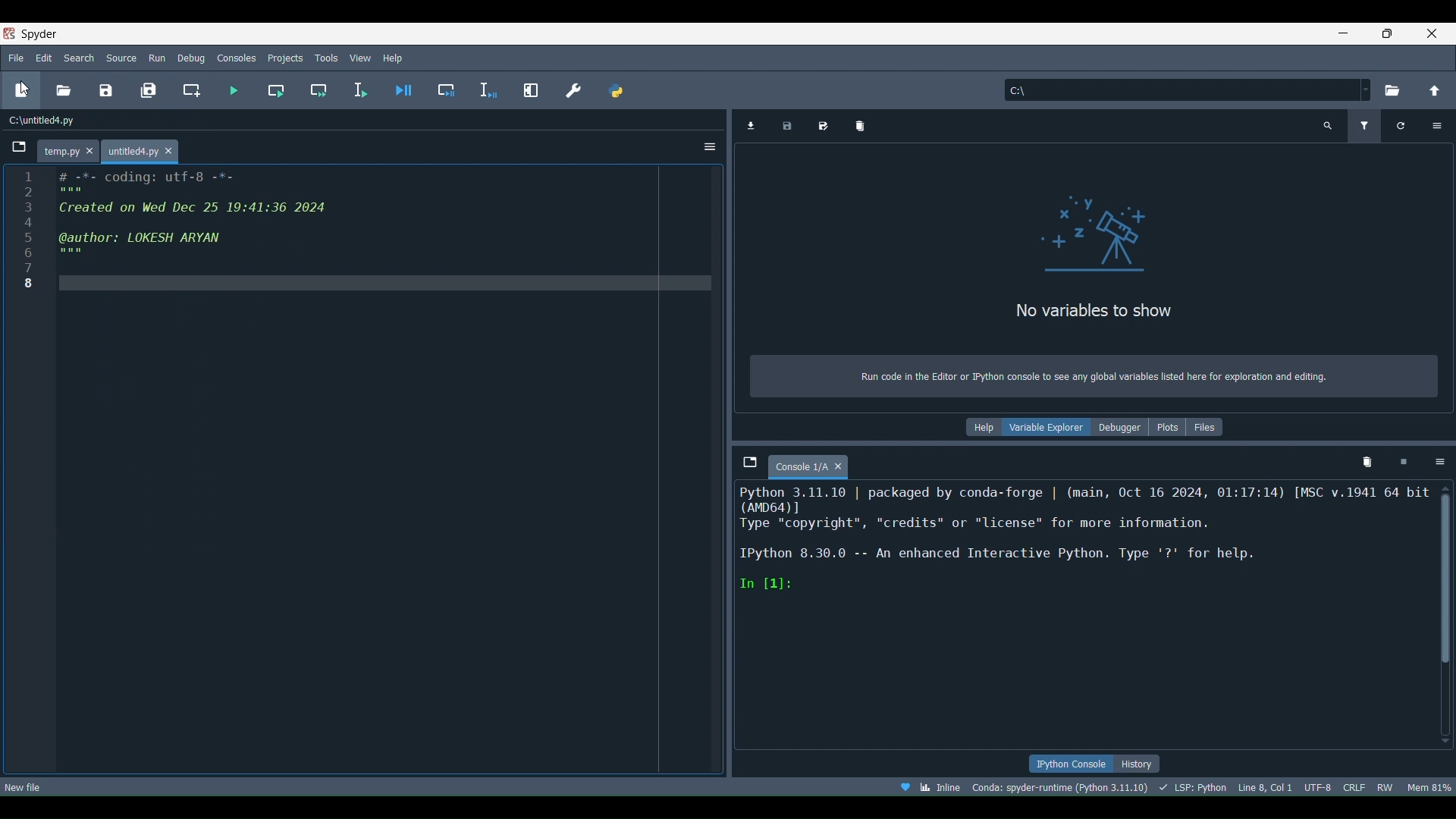  I want to click on Interrupt kernel, so click(1404, 461).